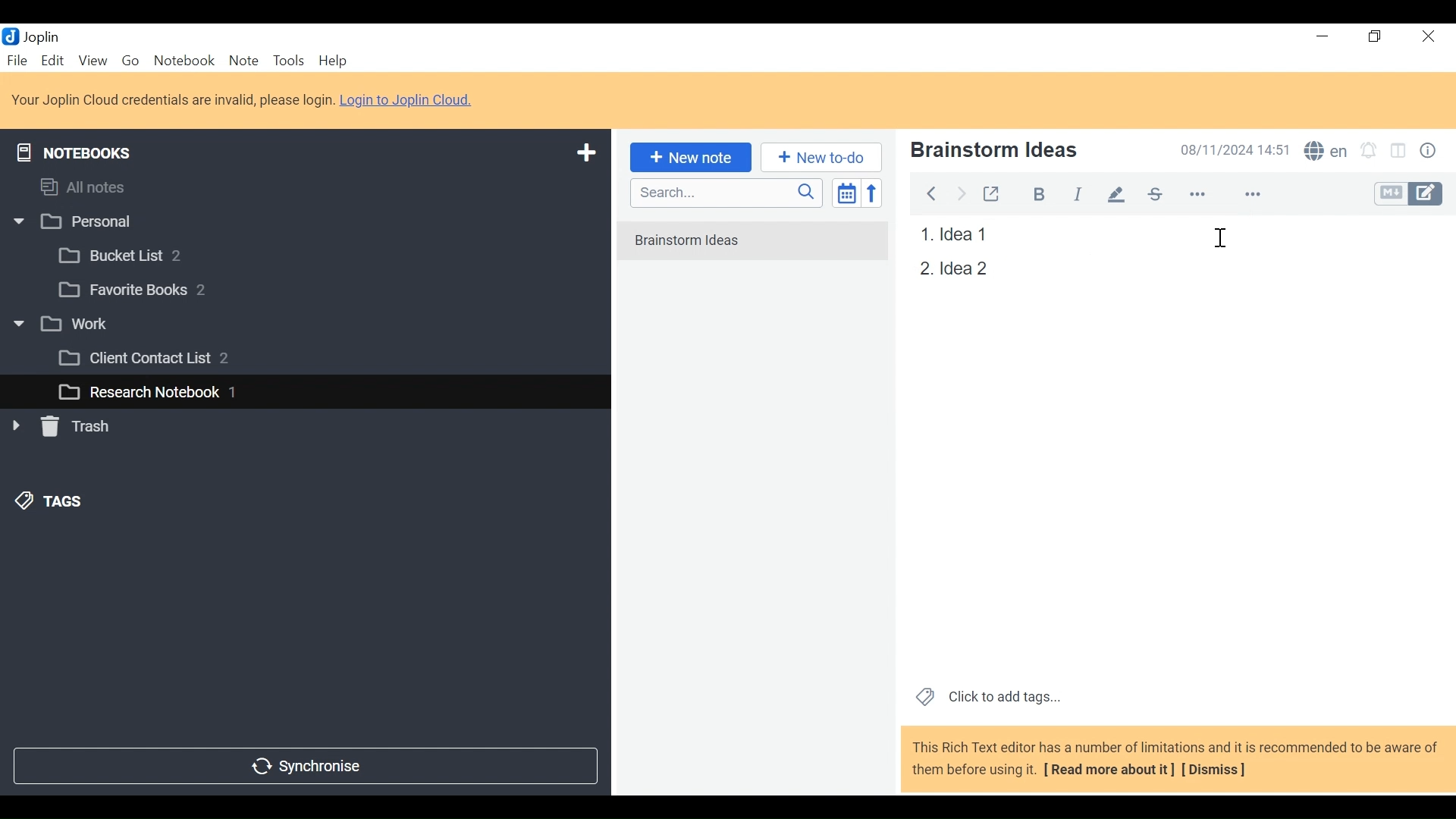 This screenshot has height=819, width=1456. I want to click on &) TAGS, so click(66, 503).